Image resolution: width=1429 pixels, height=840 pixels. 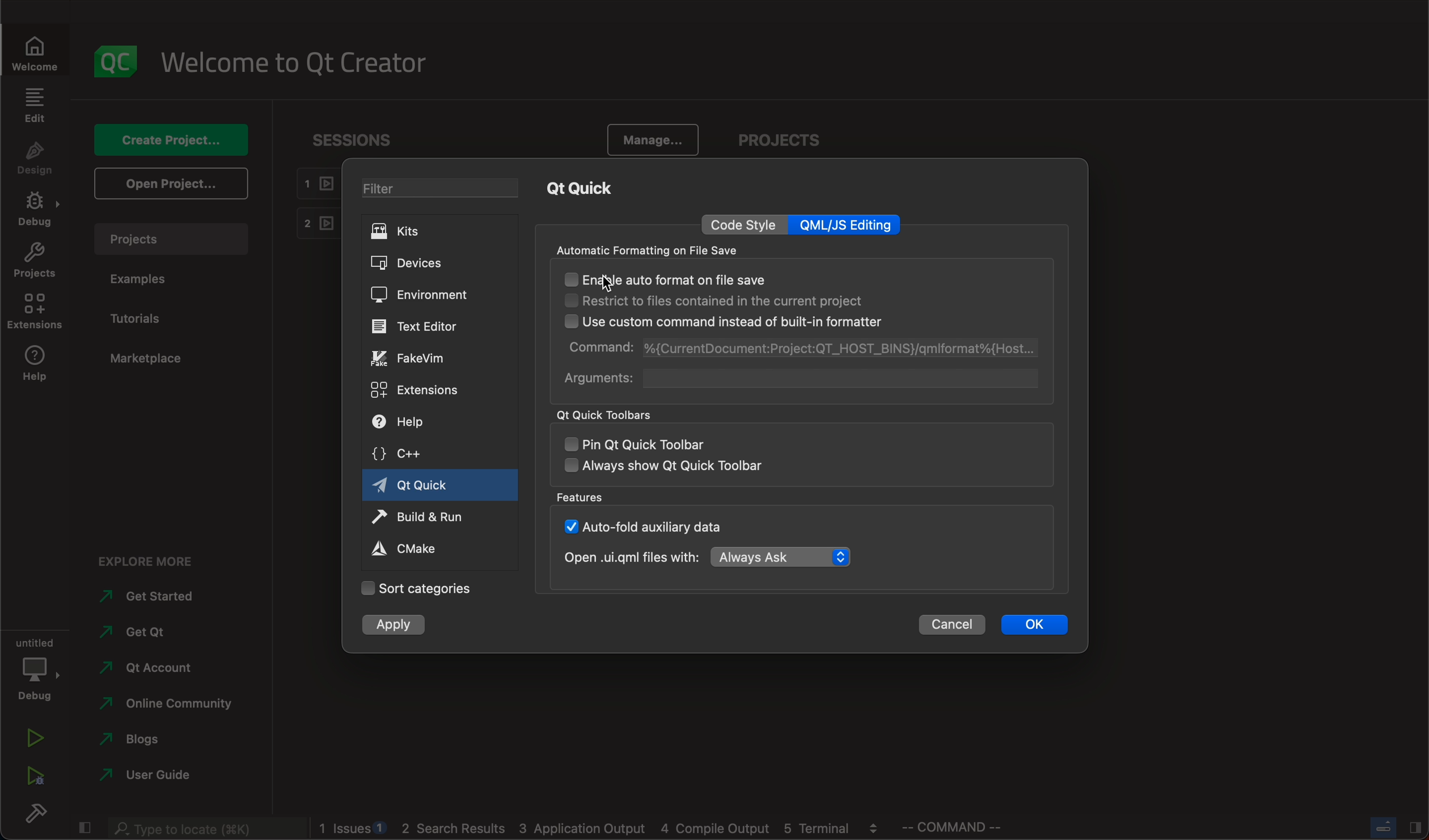 What do you see at coordinates (584, 498) in the screenshot?
I see `features` at bounding box center [584, 498].